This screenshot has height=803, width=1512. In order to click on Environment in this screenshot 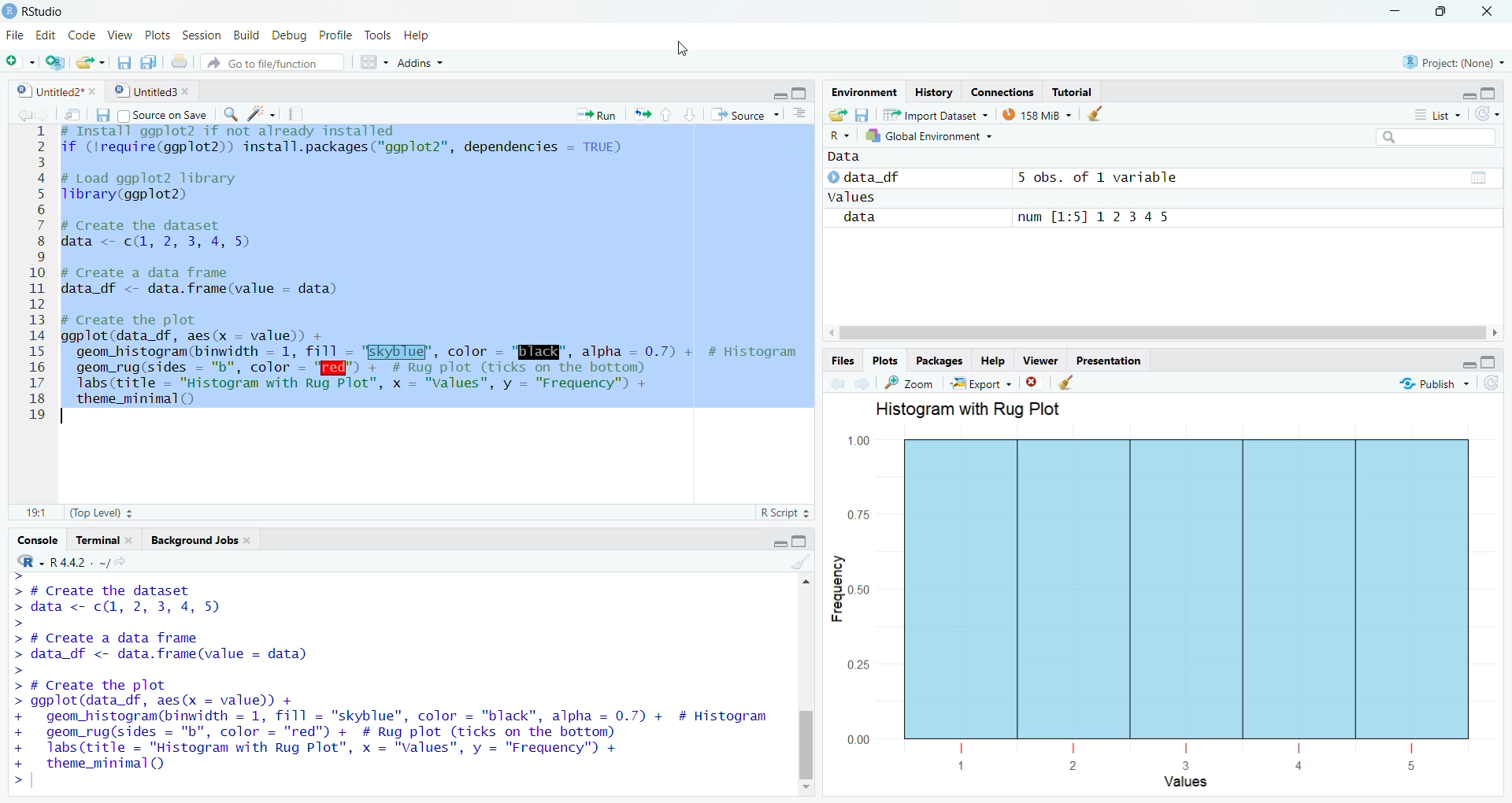, I will do `click(864, 90)`.